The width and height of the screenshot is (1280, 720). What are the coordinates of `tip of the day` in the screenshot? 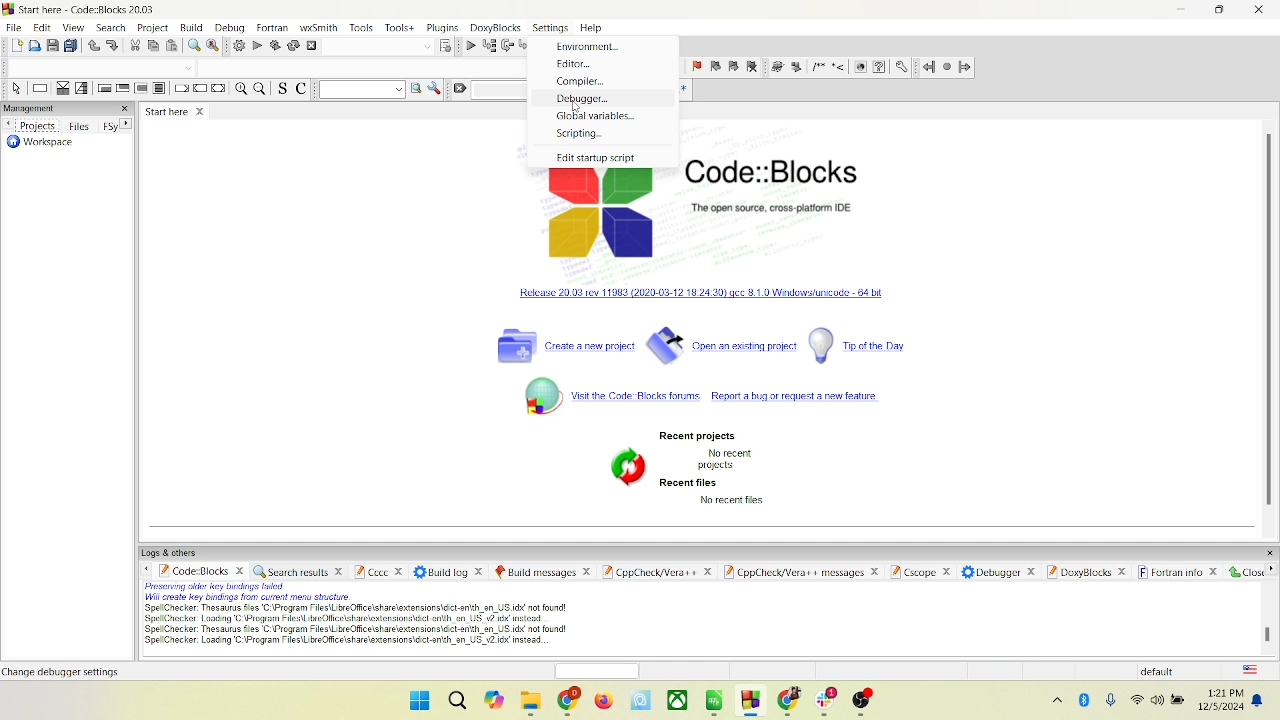 It's located at (856, 346).